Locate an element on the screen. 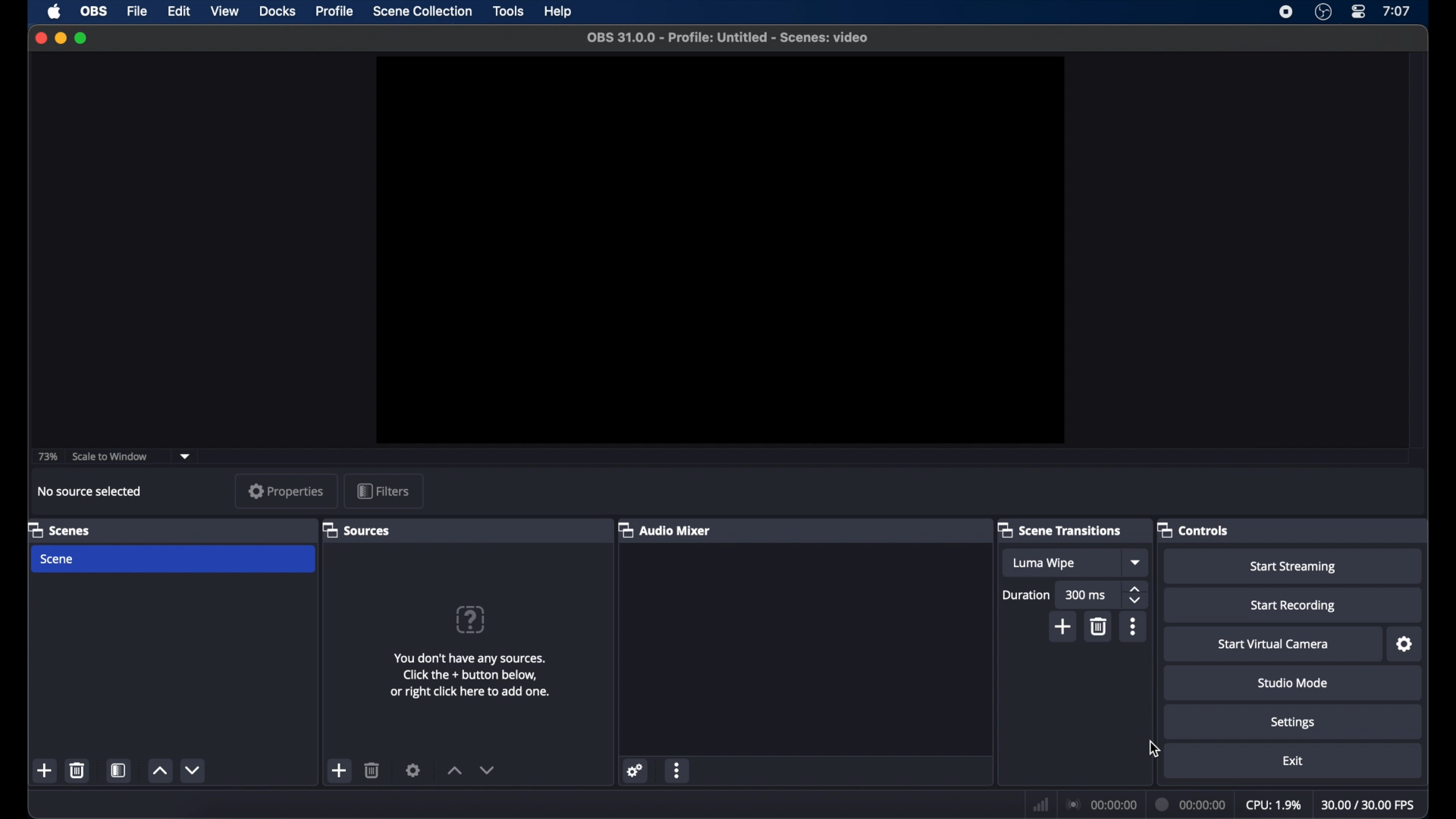 This screenshot has height=819, width=1456. add is located at coordinates (45, 771).